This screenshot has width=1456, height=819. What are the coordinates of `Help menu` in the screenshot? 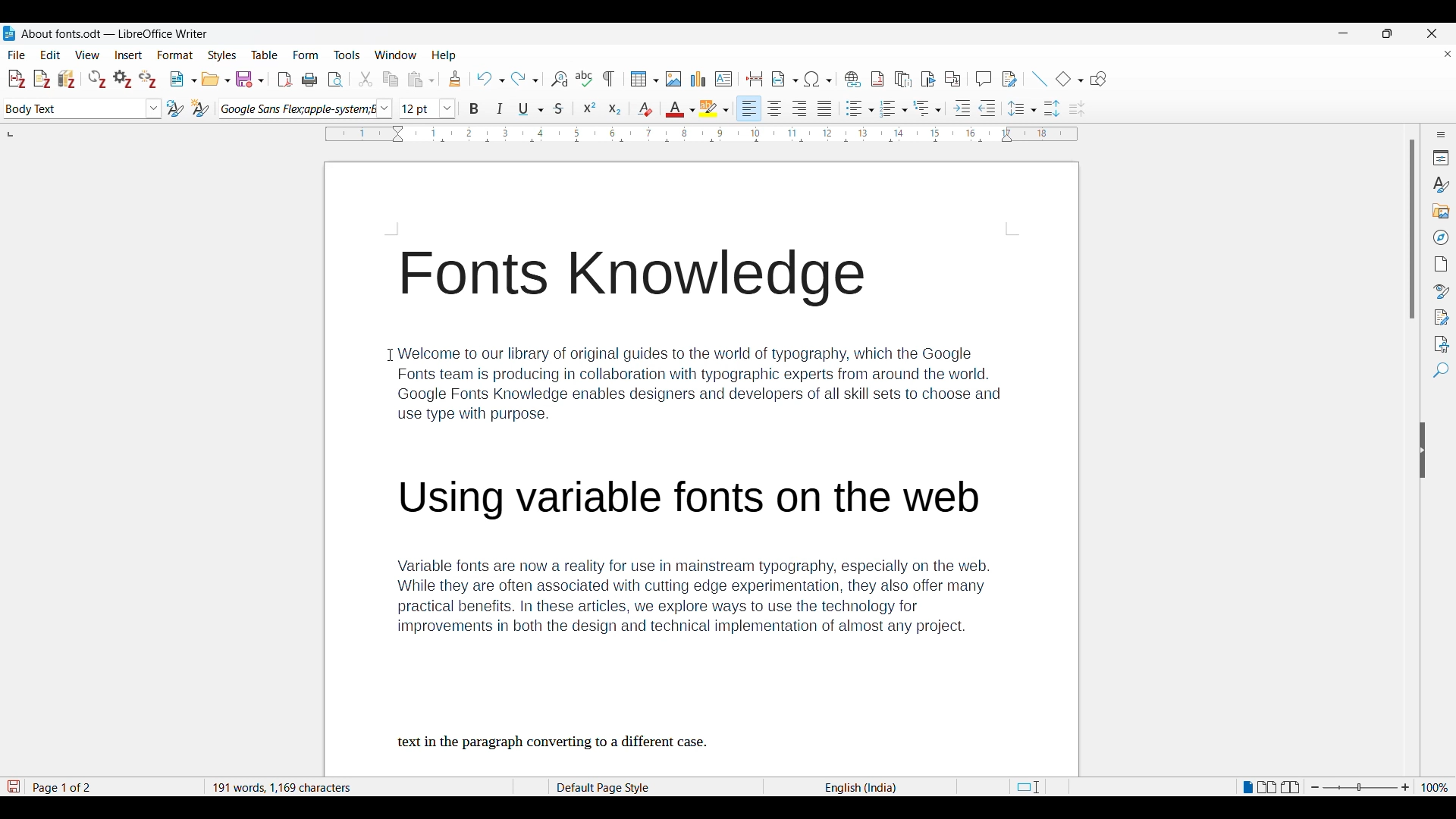 It's located at (444, 55).